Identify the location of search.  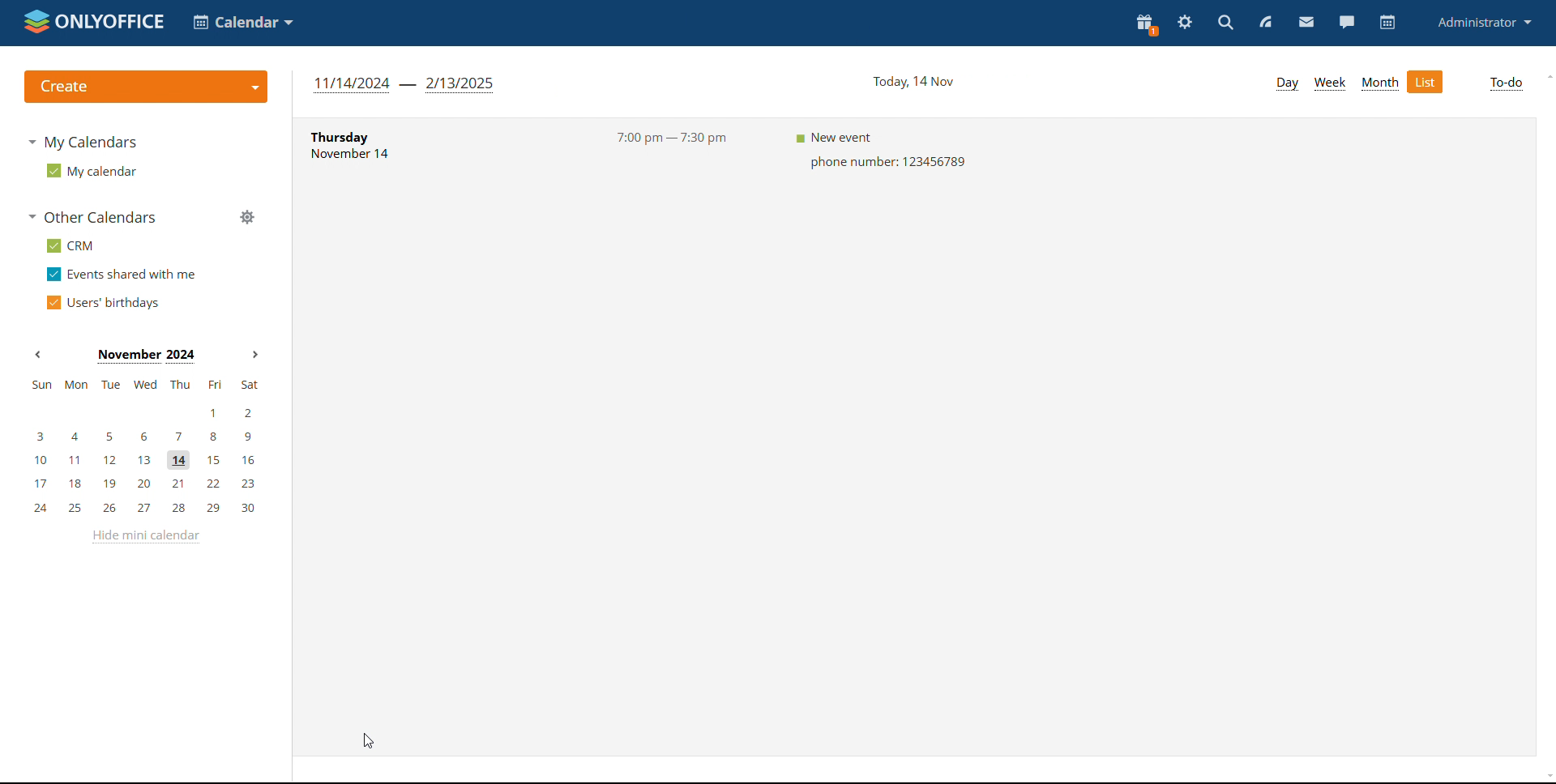
(1224, 23).